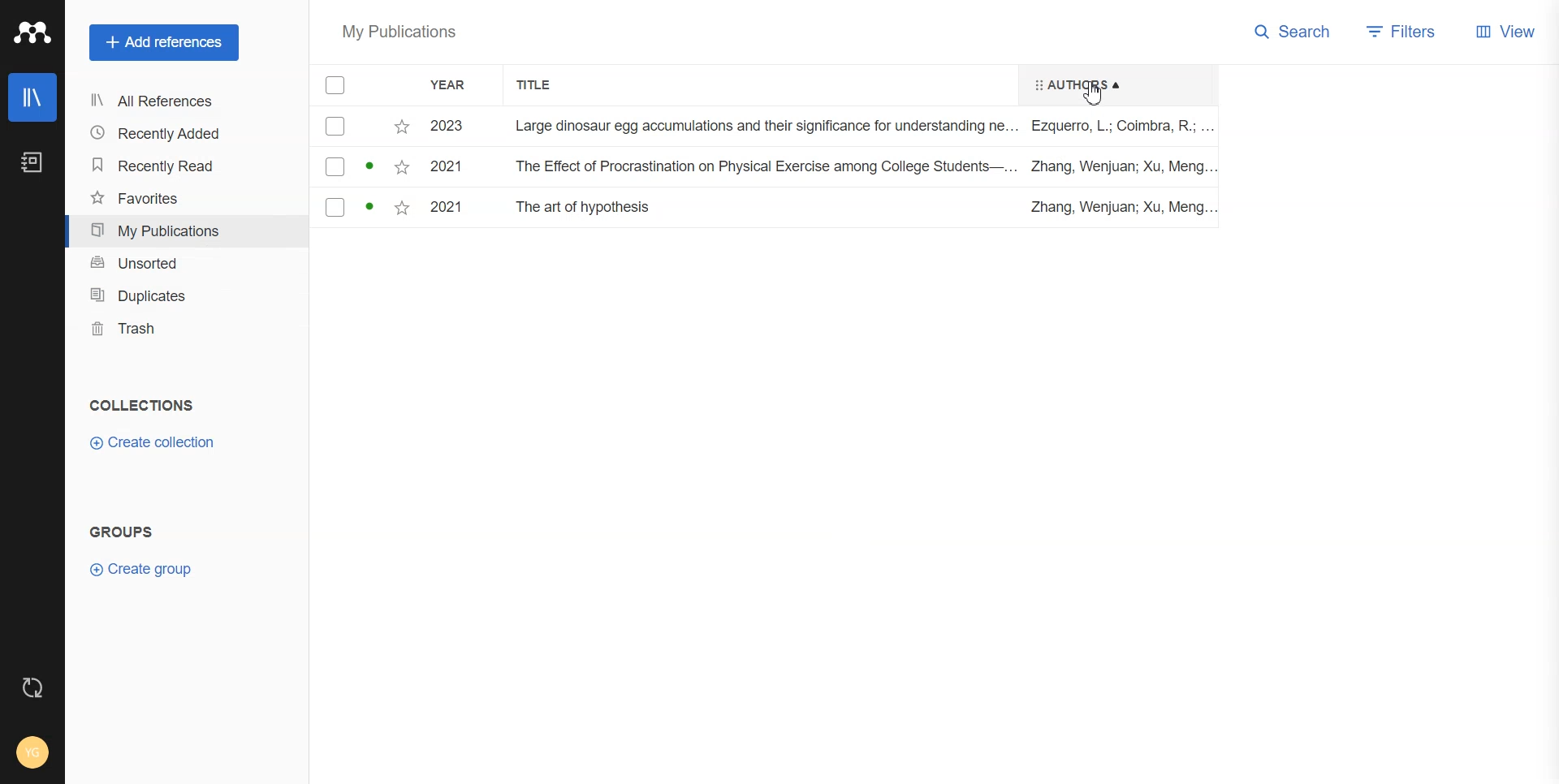 The width and height of the screenshot is (1559, 784). What do you see at coordinates (445, 207) in the screenshot?
I see `2021` at bounding box center [445, 207].